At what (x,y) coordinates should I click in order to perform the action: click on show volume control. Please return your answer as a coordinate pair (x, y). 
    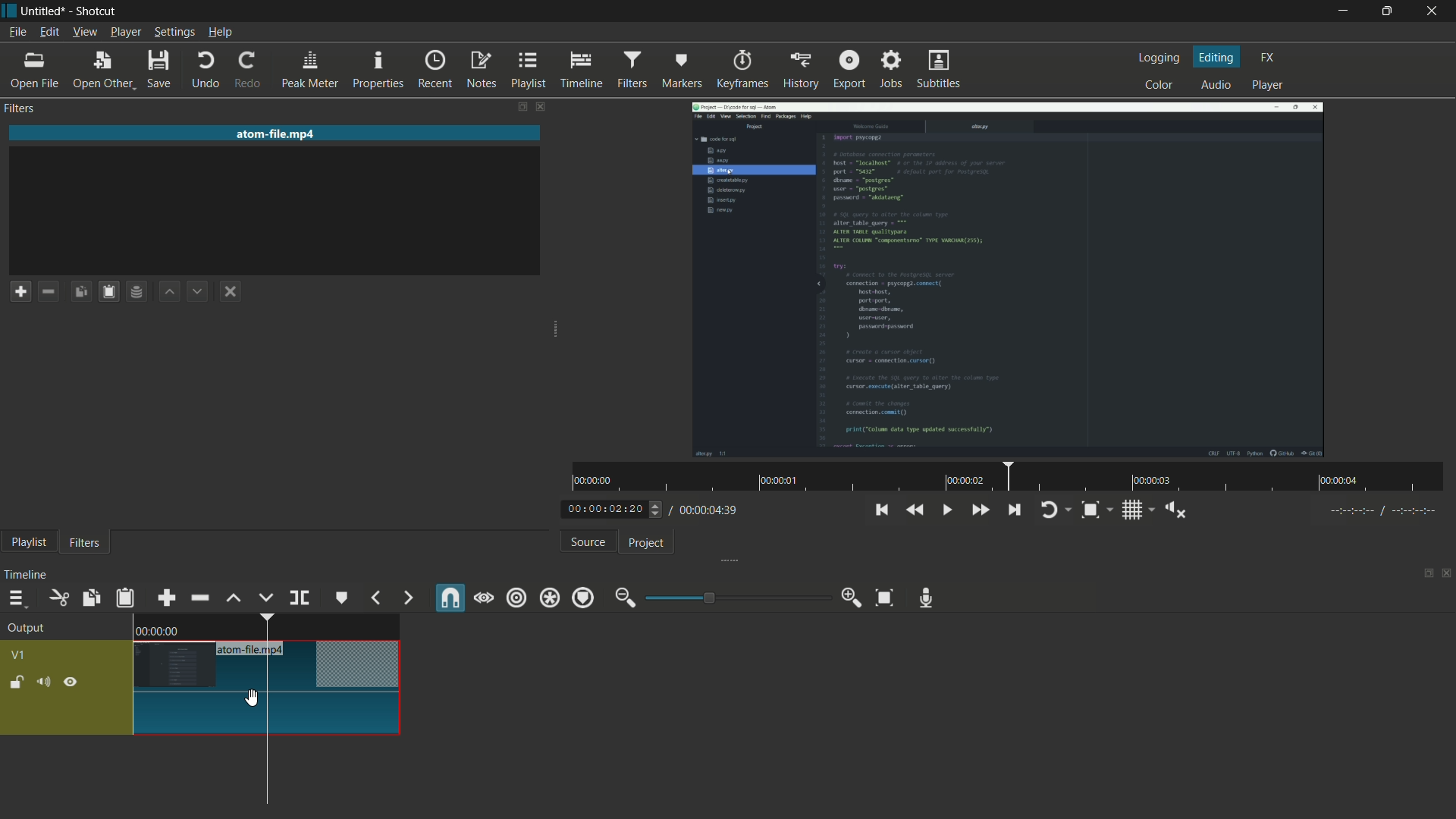
    Looking at the image, I should click on (1171, 510).